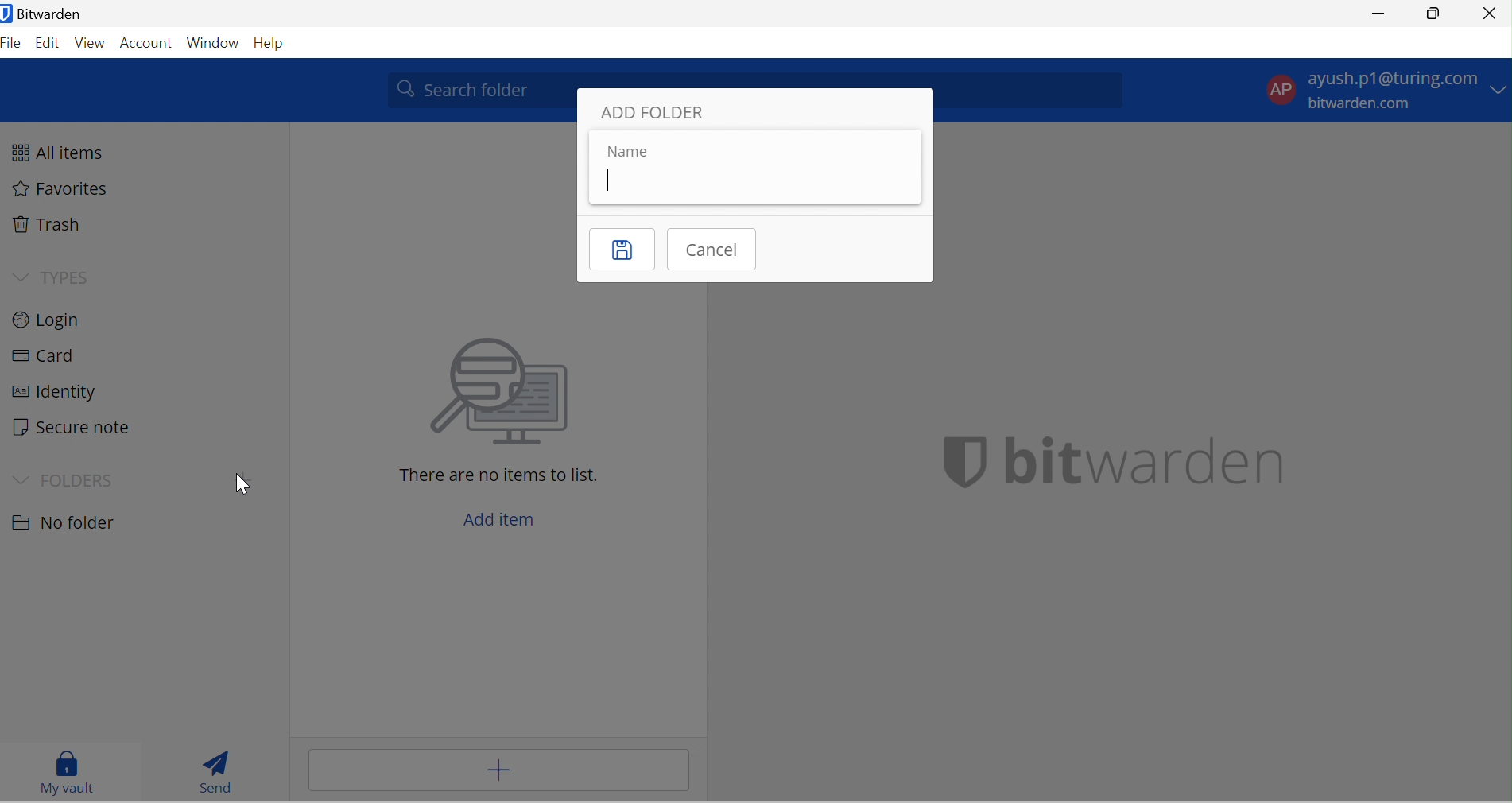 Image resolution: width=1512 pixels, height=803 pixels. Describe the element at coordinates (1374, 13) in the screenshot. I see `Minimize` at that location.